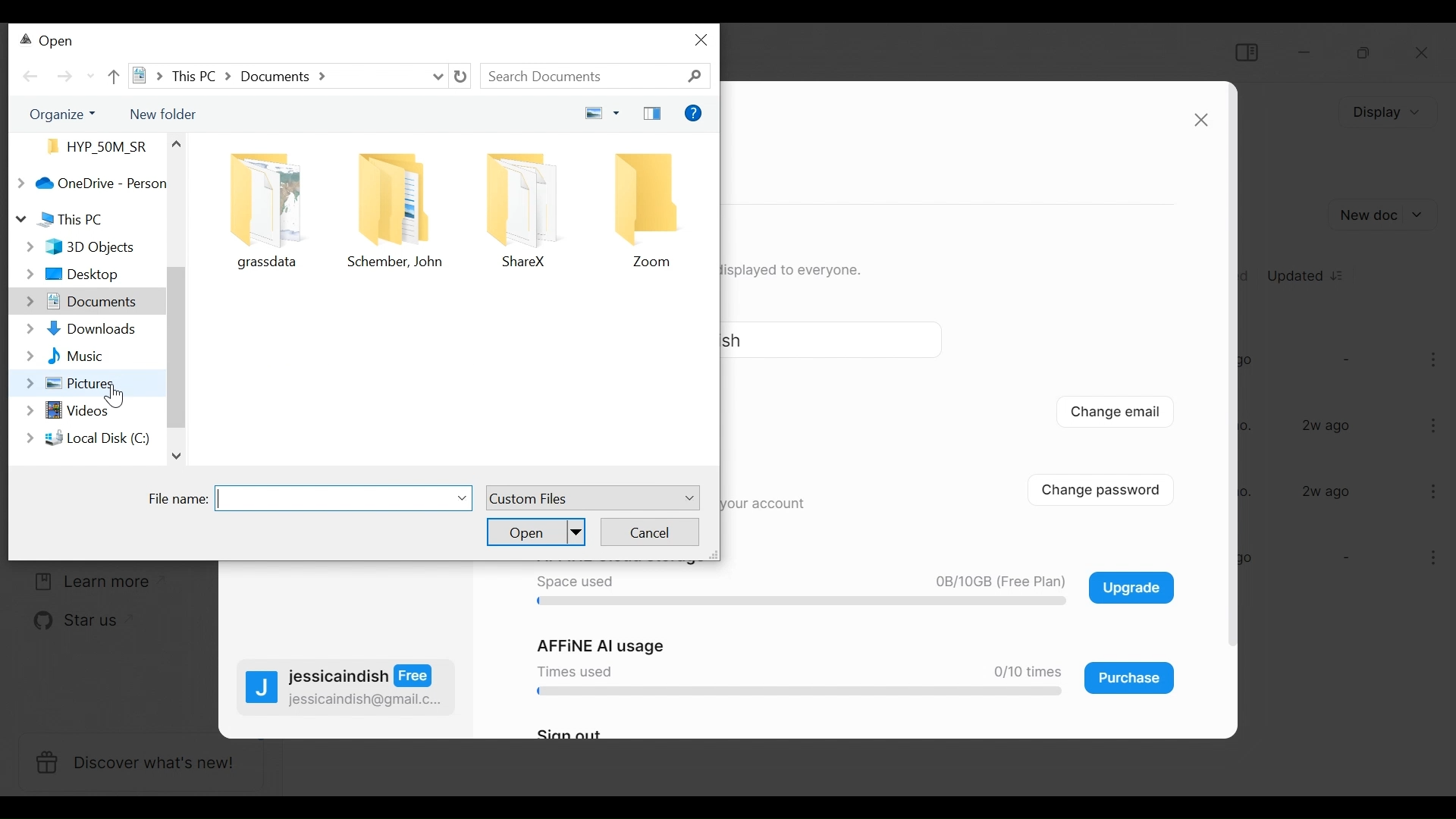  I want to click on Restore, so click(1362, 53).